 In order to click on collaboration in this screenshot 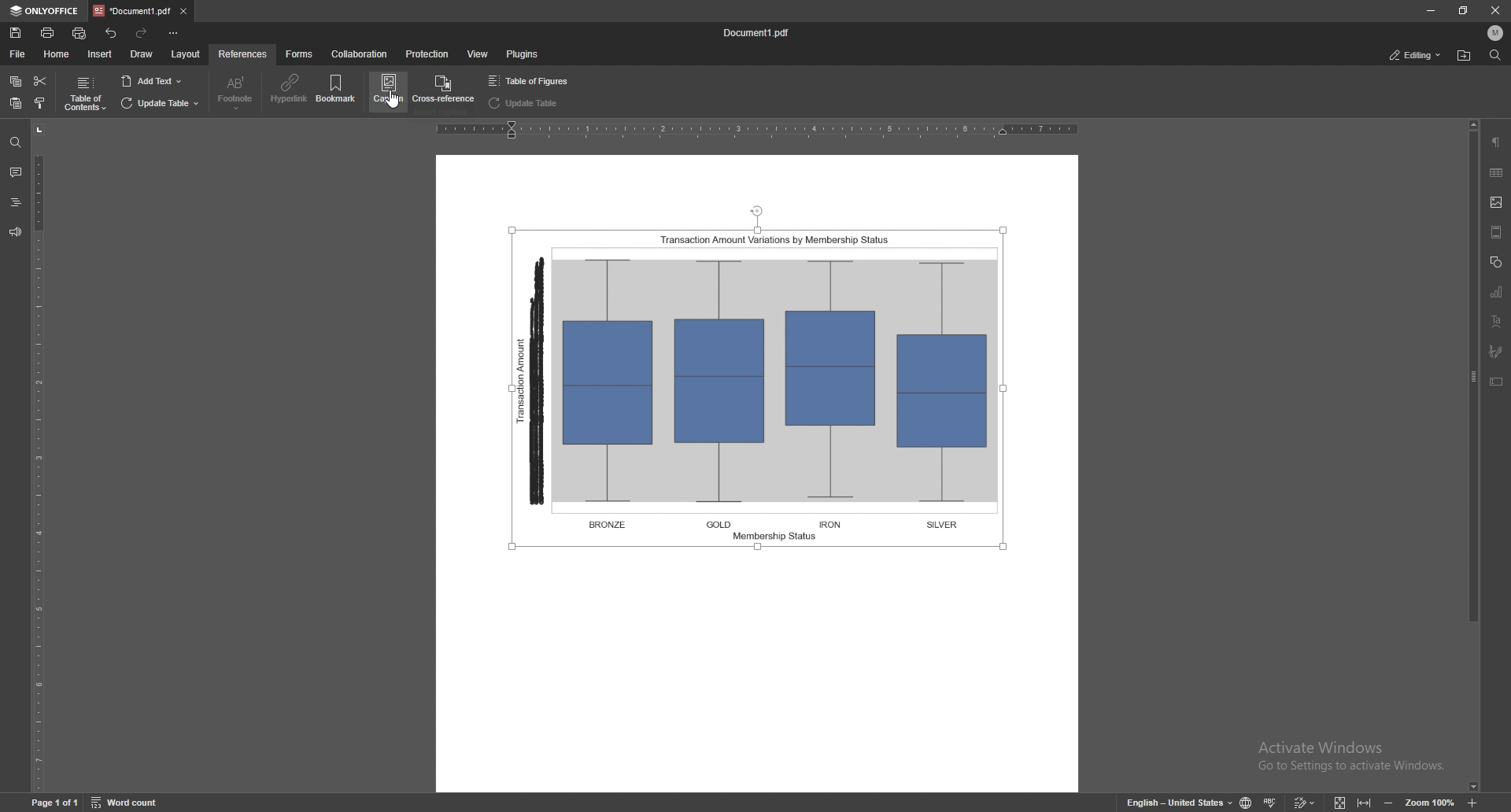, I will do `click(360, 54)`.